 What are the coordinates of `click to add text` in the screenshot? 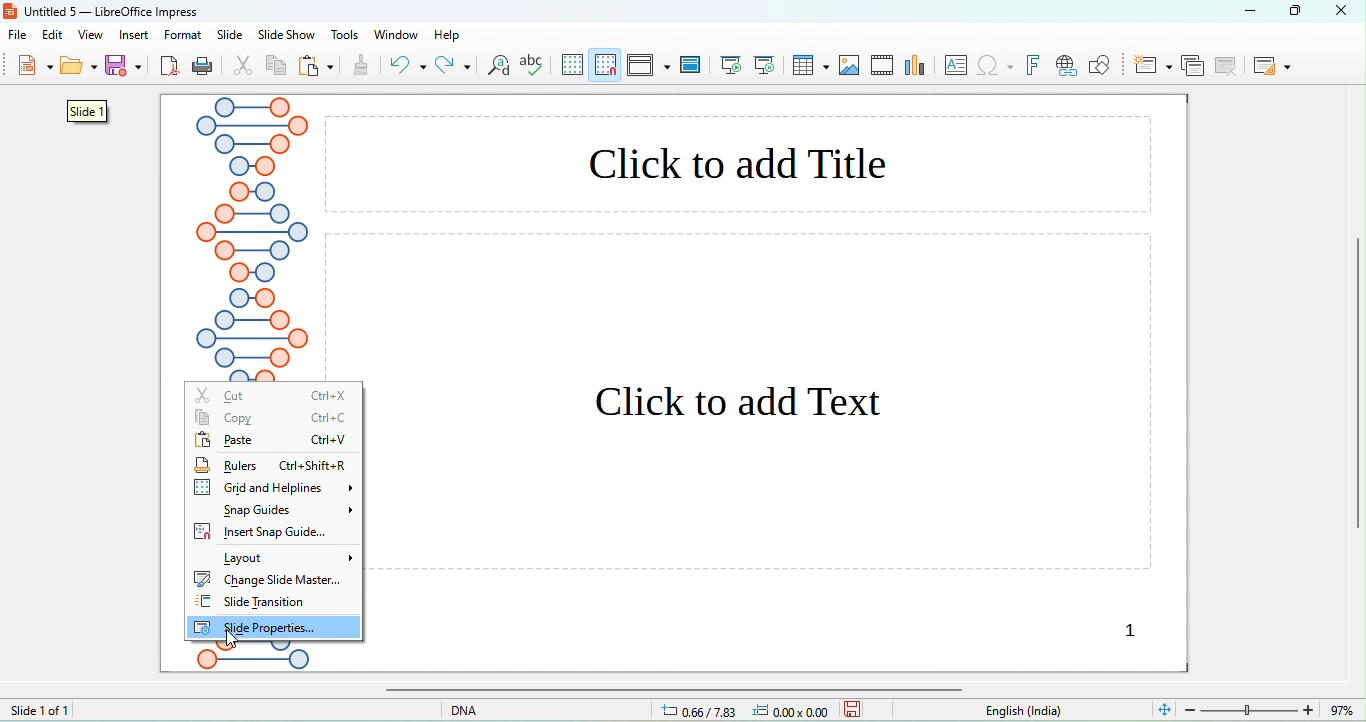 It's located at (768, 403).